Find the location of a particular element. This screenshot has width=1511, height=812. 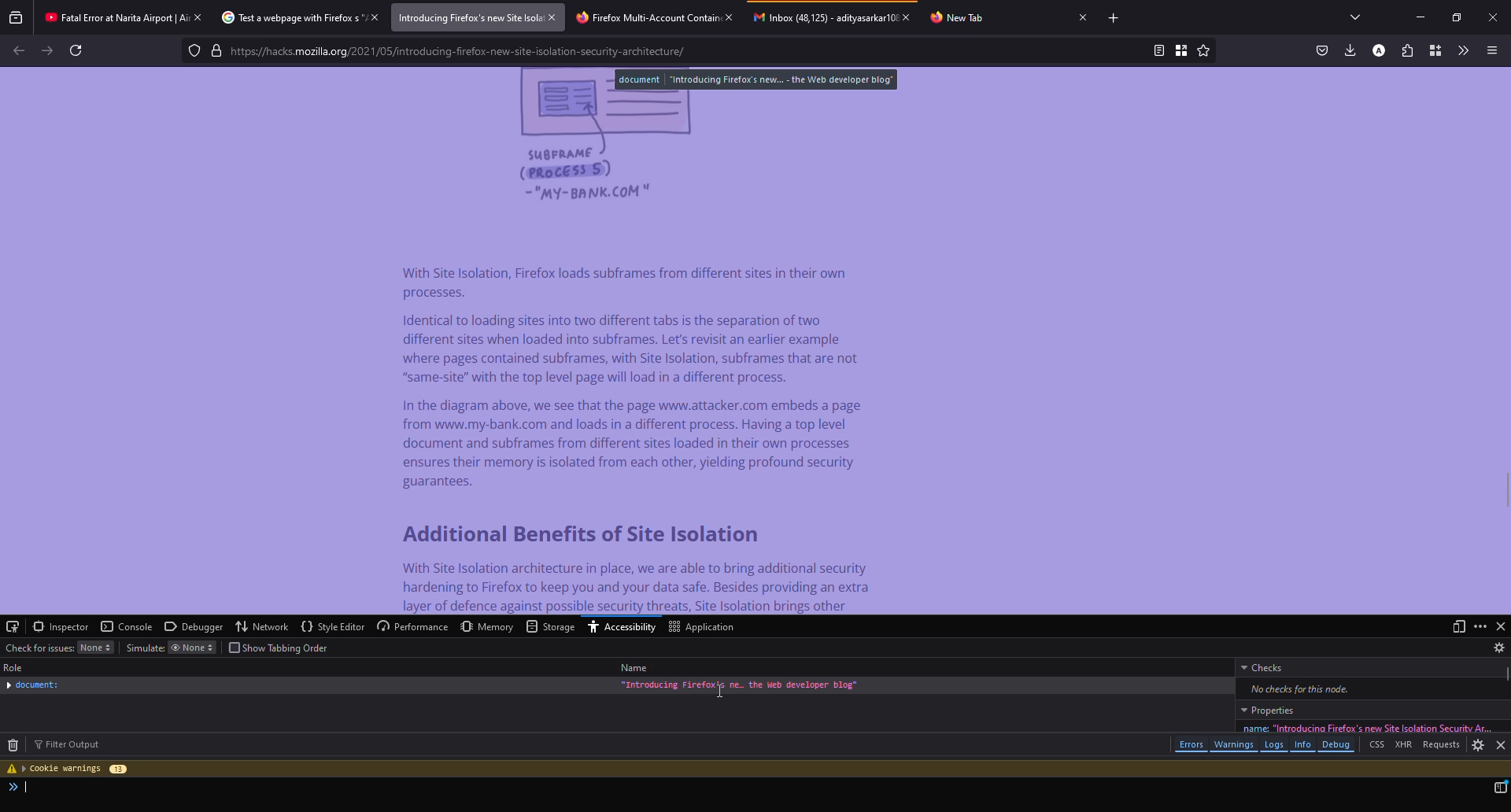

document is located at coordinates (33, 685).